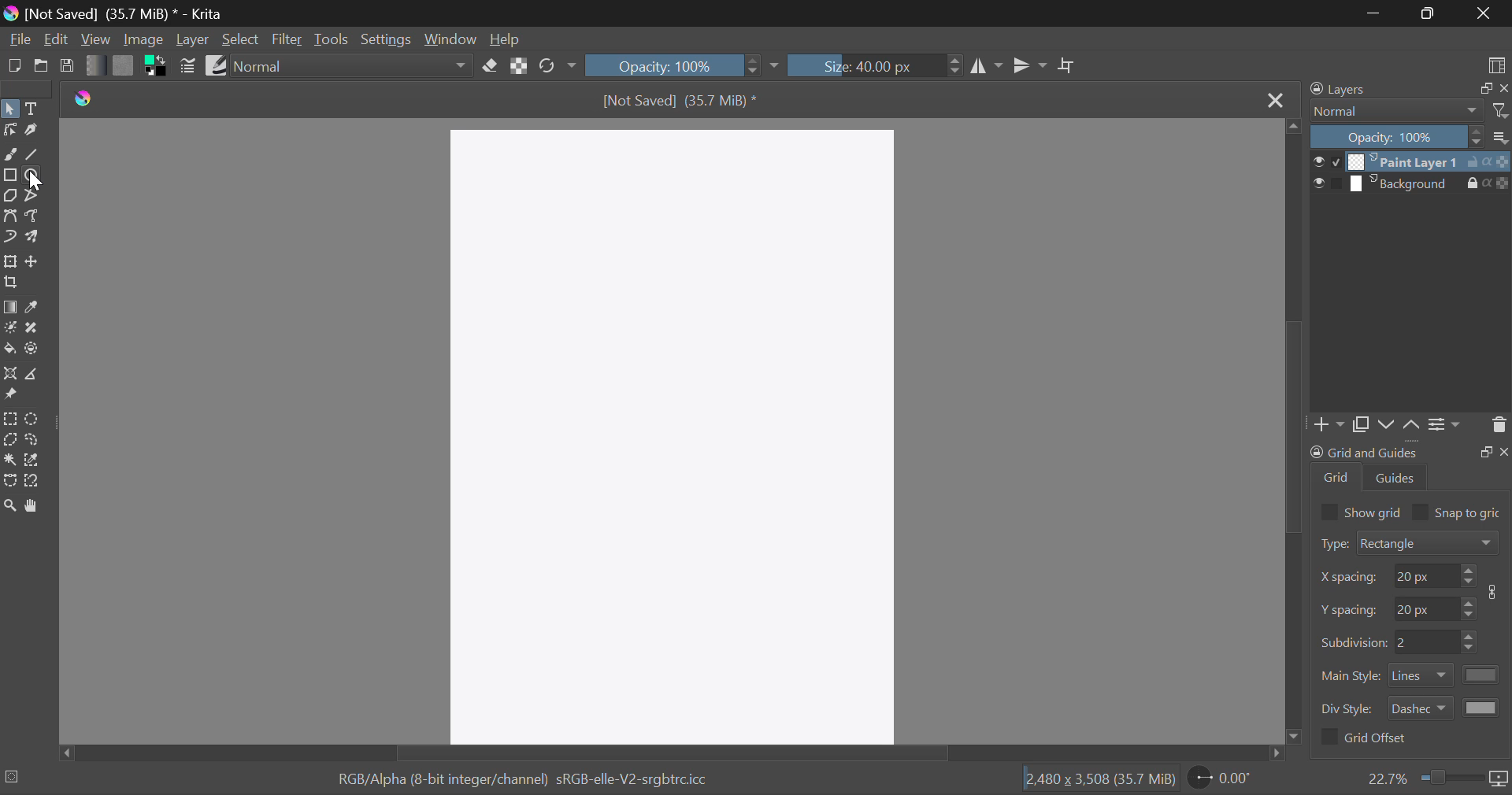 The image size is (1512, 795). Describe the element at coordinates (32, 152) in the screenshot. I see `Line` at that location.